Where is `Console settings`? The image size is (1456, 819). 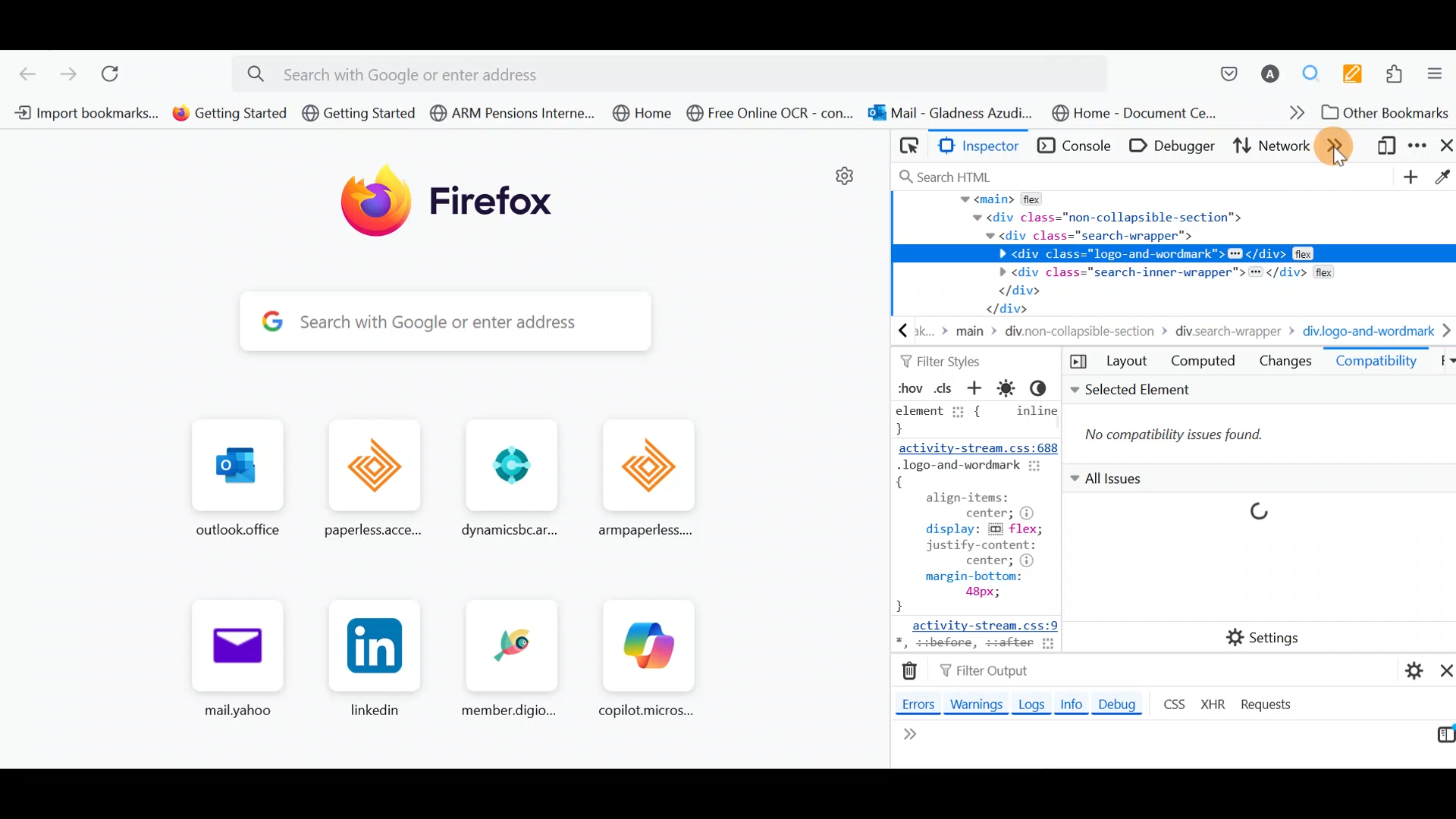 Console settings is located at coordinates (1407, 668).